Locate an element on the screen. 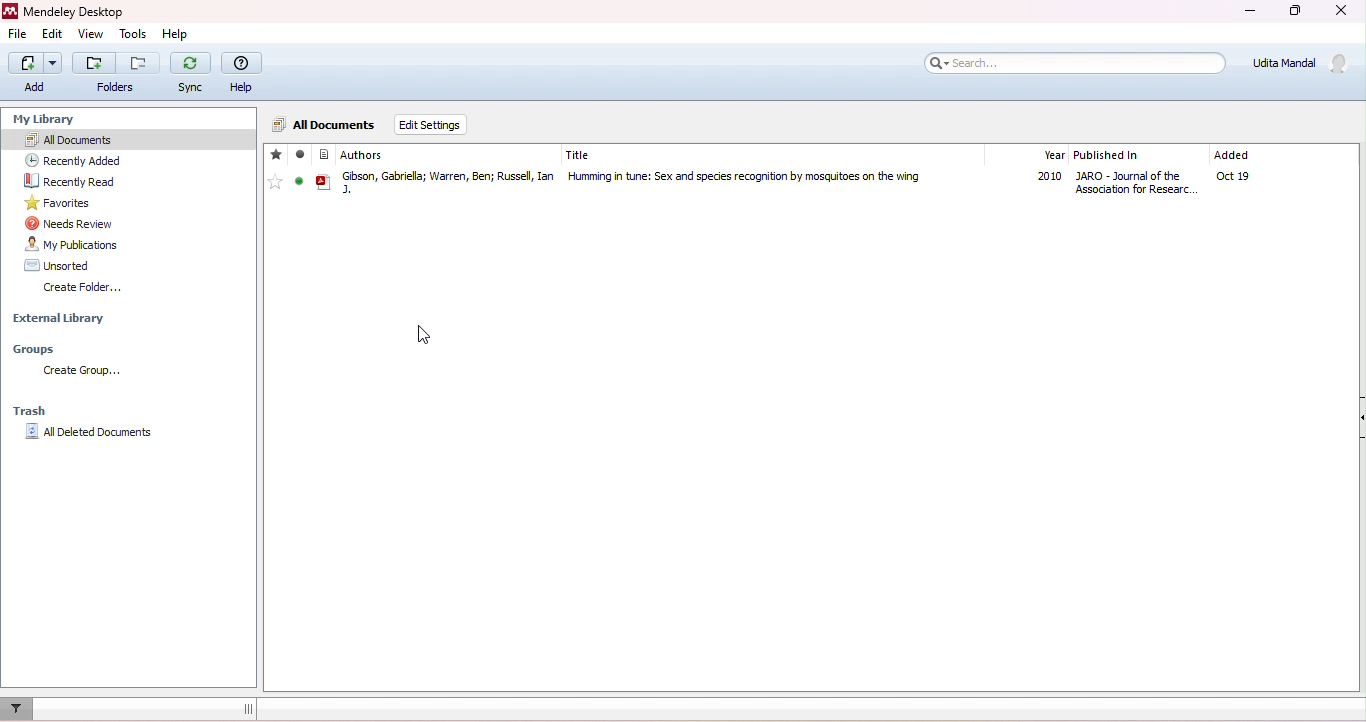  File type is located at coordinates (324, 182).